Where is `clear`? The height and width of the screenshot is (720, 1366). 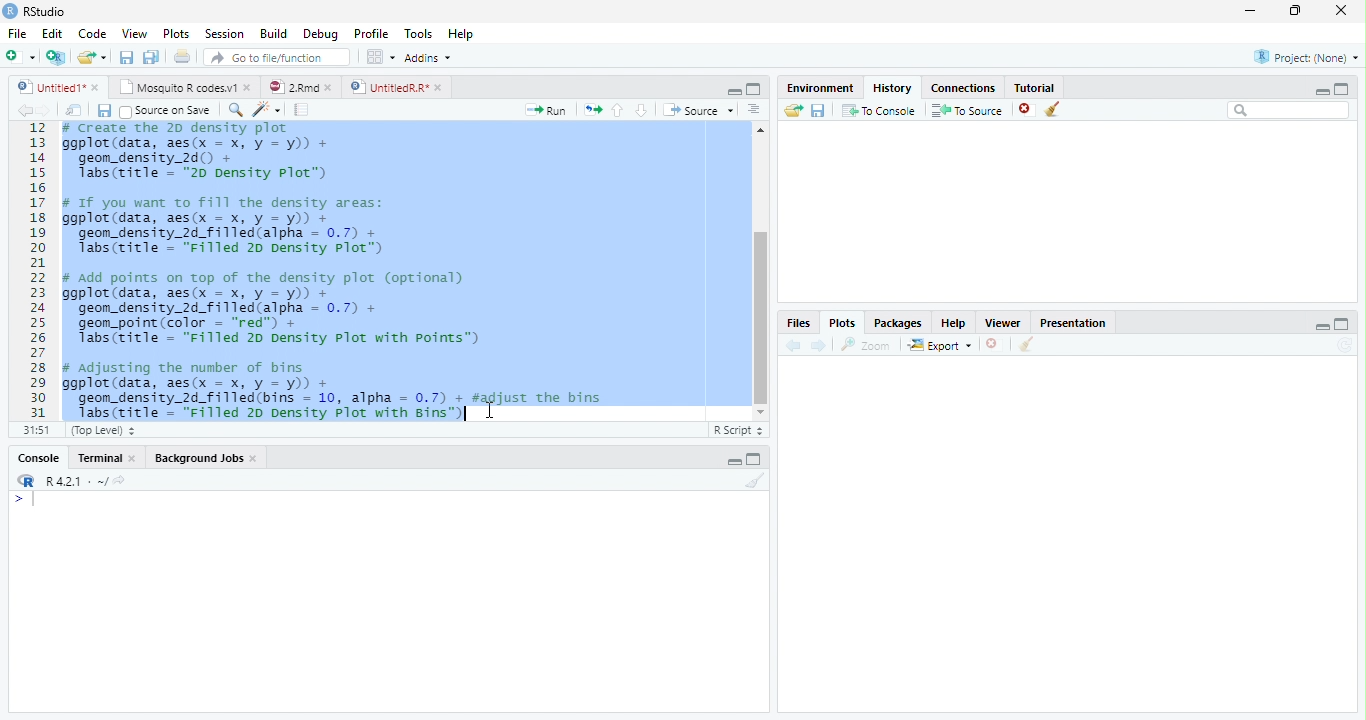 clear is located at coordinates (1053, 110).